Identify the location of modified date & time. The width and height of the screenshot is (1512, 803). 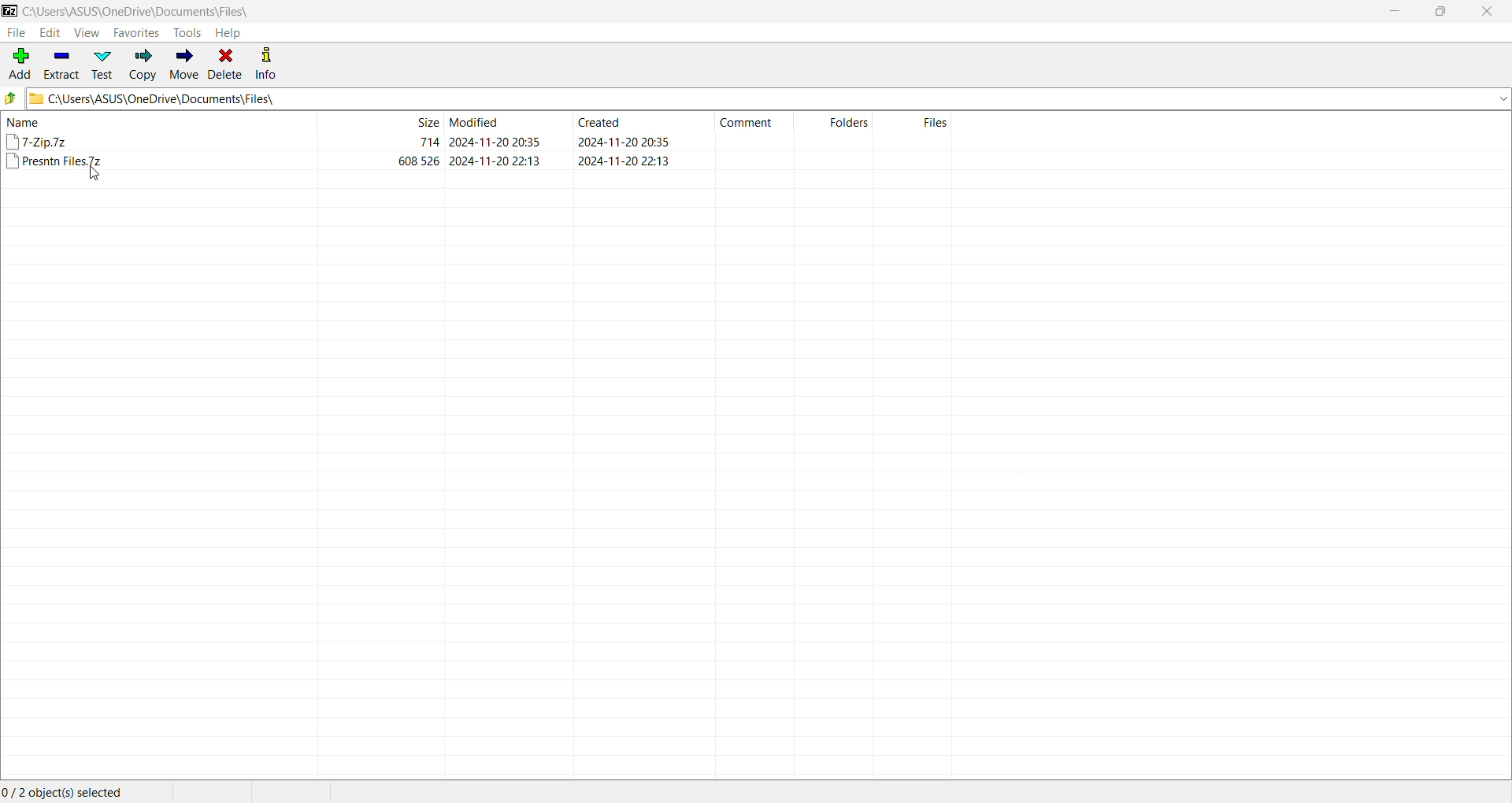
(495, 142).